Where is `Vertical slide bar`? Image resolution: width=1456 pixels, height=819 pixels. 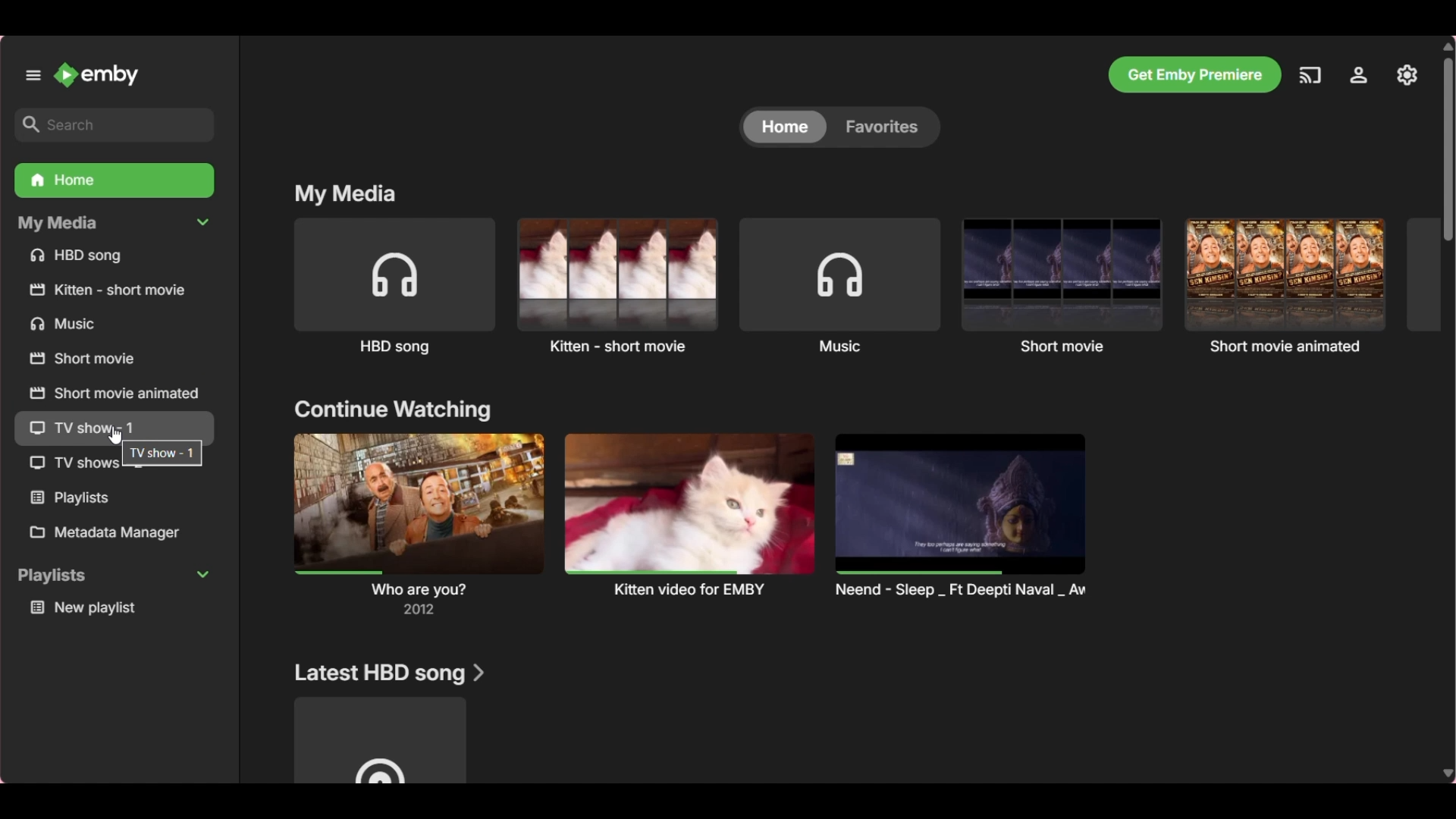 Vertical slide bar is located at coordinates (1448, 149).